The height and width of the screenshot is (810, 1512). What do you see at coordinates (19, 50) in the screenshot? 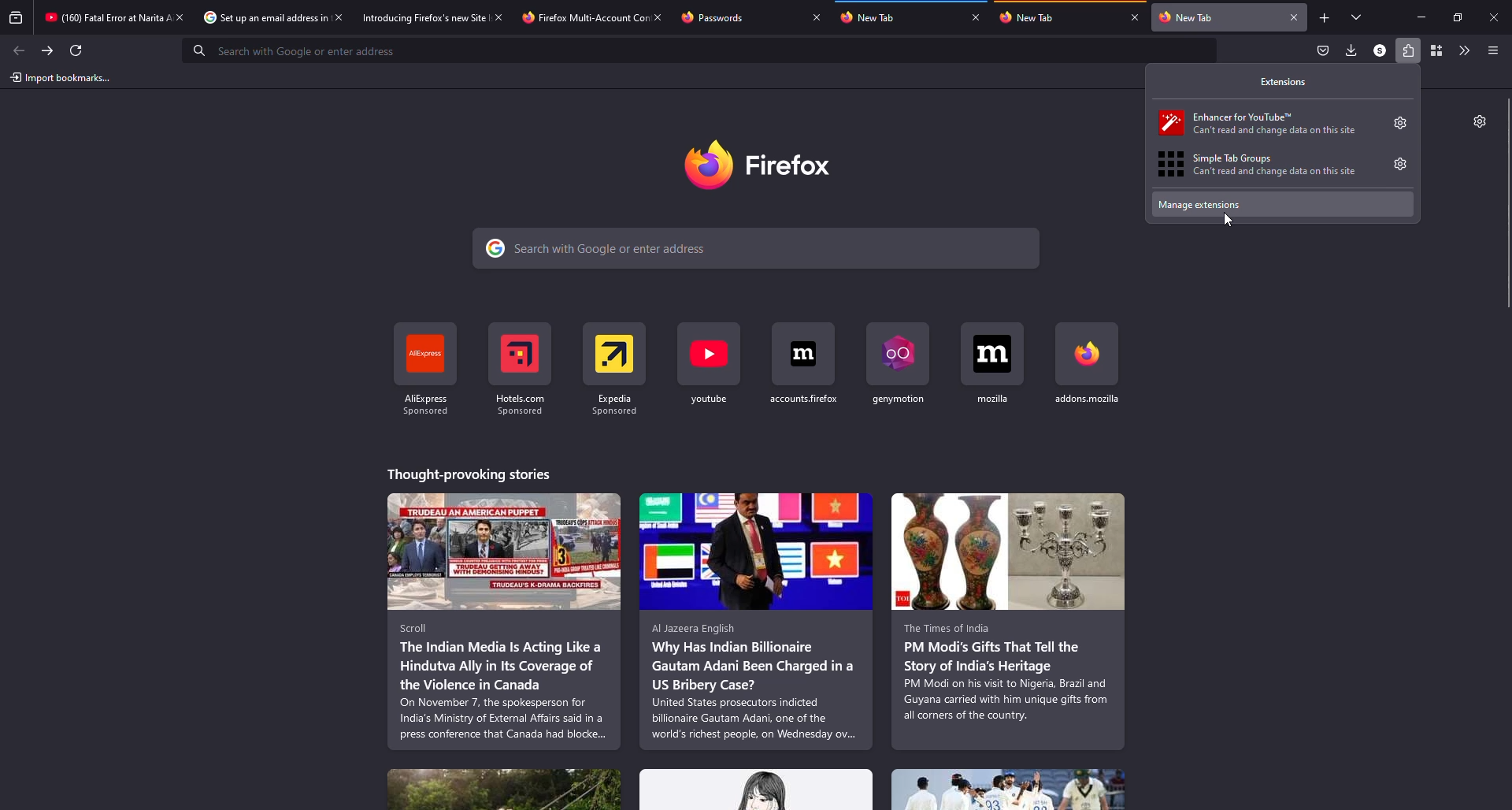
I see `back` at bounding box center [19, 50].